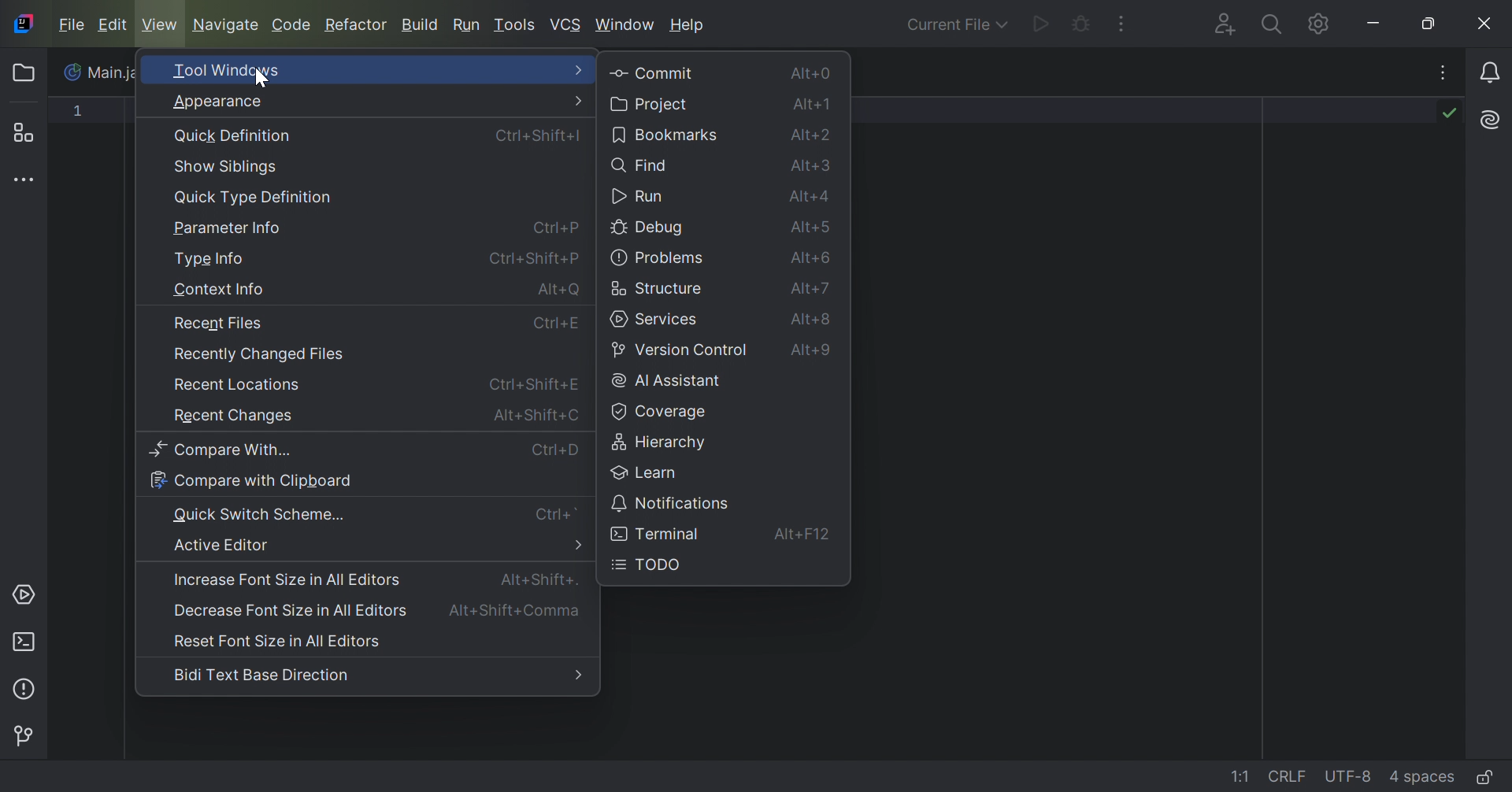 Image resolution: width=1512 pixels, height=792 pixels. Describe the element at coordinates (1442, 76) in the screenshot. I see `Recent Files, Tab Actions, and More` at that location.